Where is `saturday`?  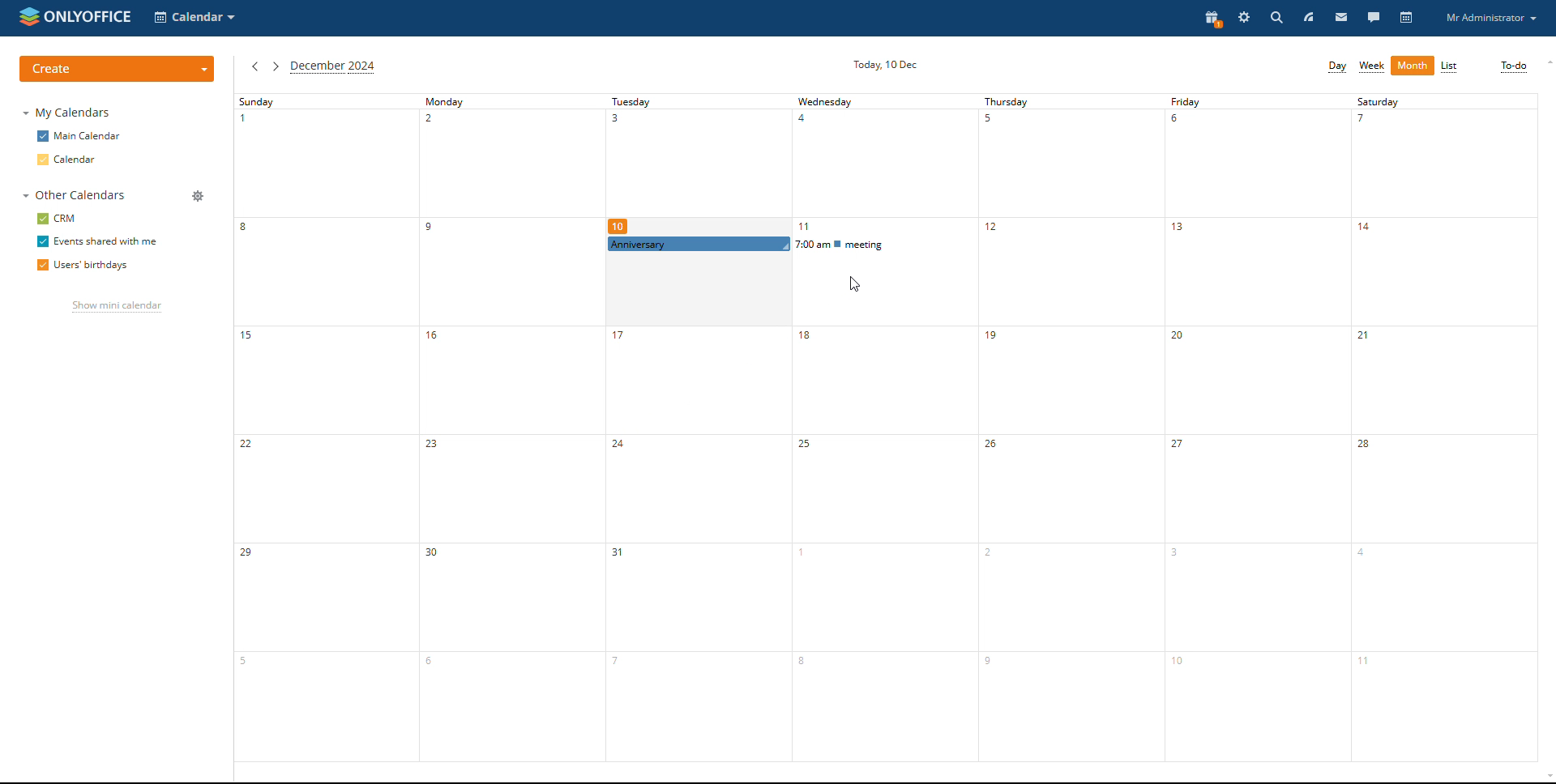
saturday is located at coordinates (1444, 428).